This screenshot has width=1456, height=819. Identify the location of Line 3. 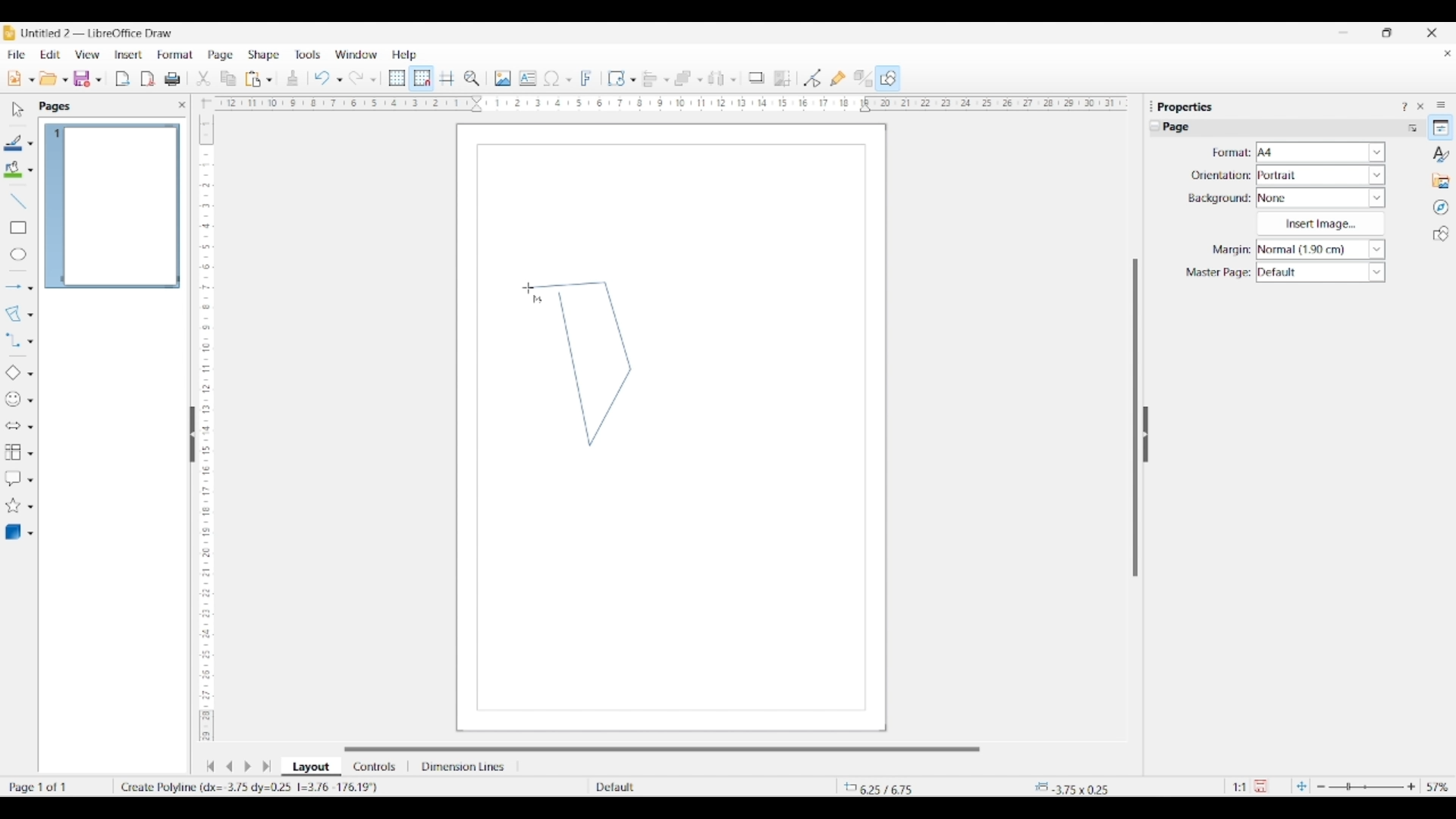
(617, 325).